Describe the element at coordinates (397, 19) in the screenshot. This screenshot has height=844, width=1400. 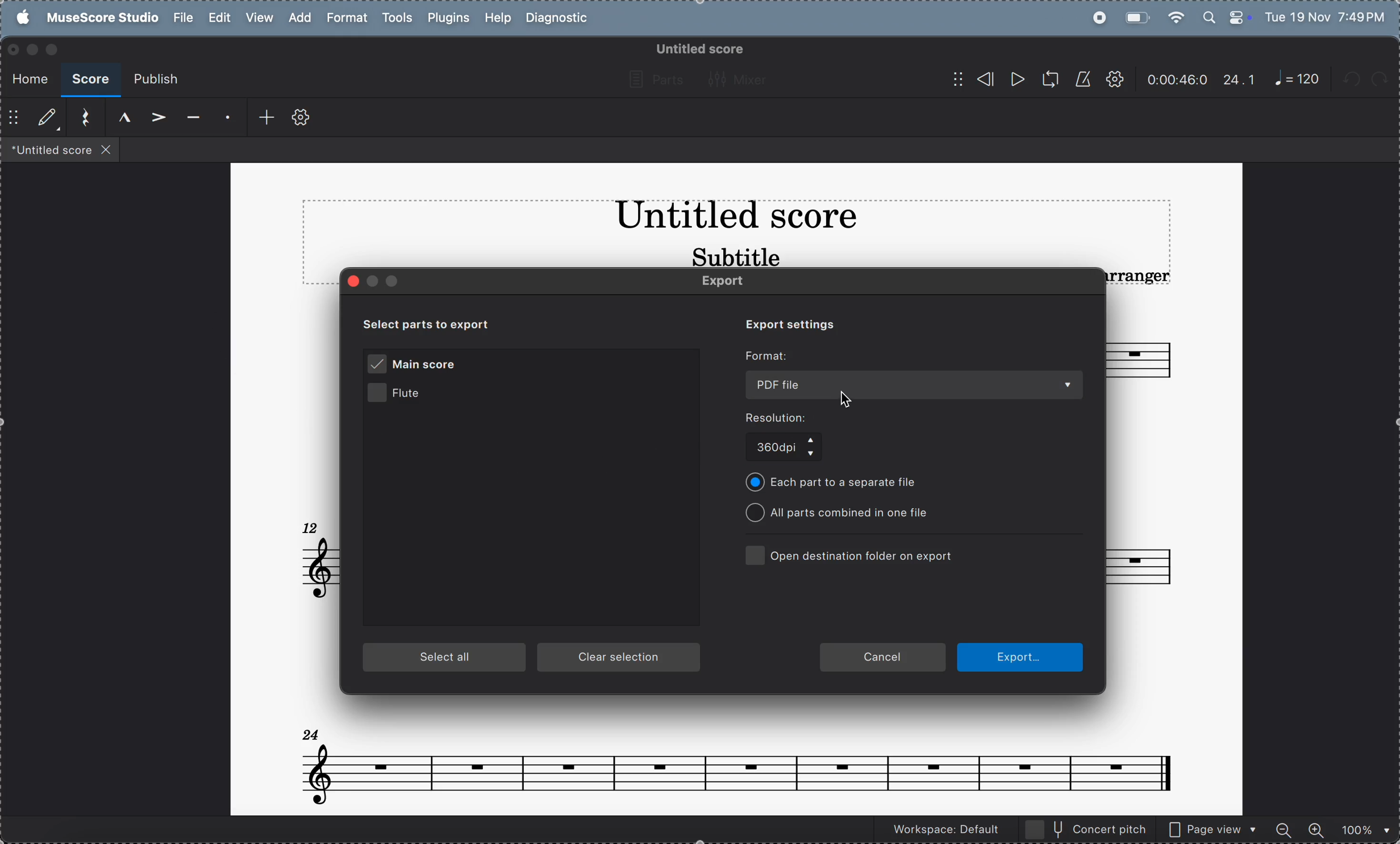
I see `tools` at that location.